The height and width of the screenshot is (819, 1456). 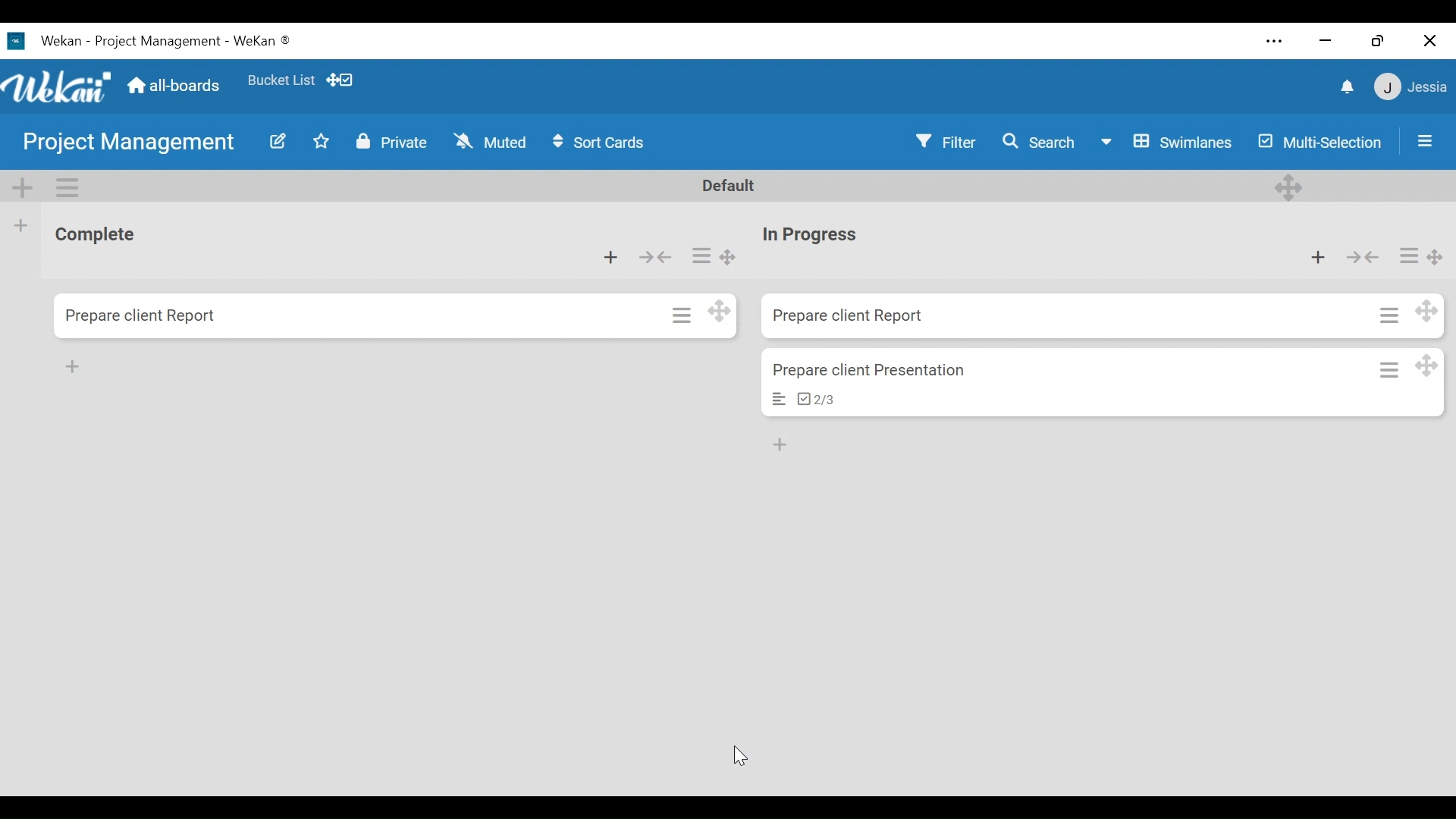 I want to click on Add Swimlane, so click(x=27, y=188).